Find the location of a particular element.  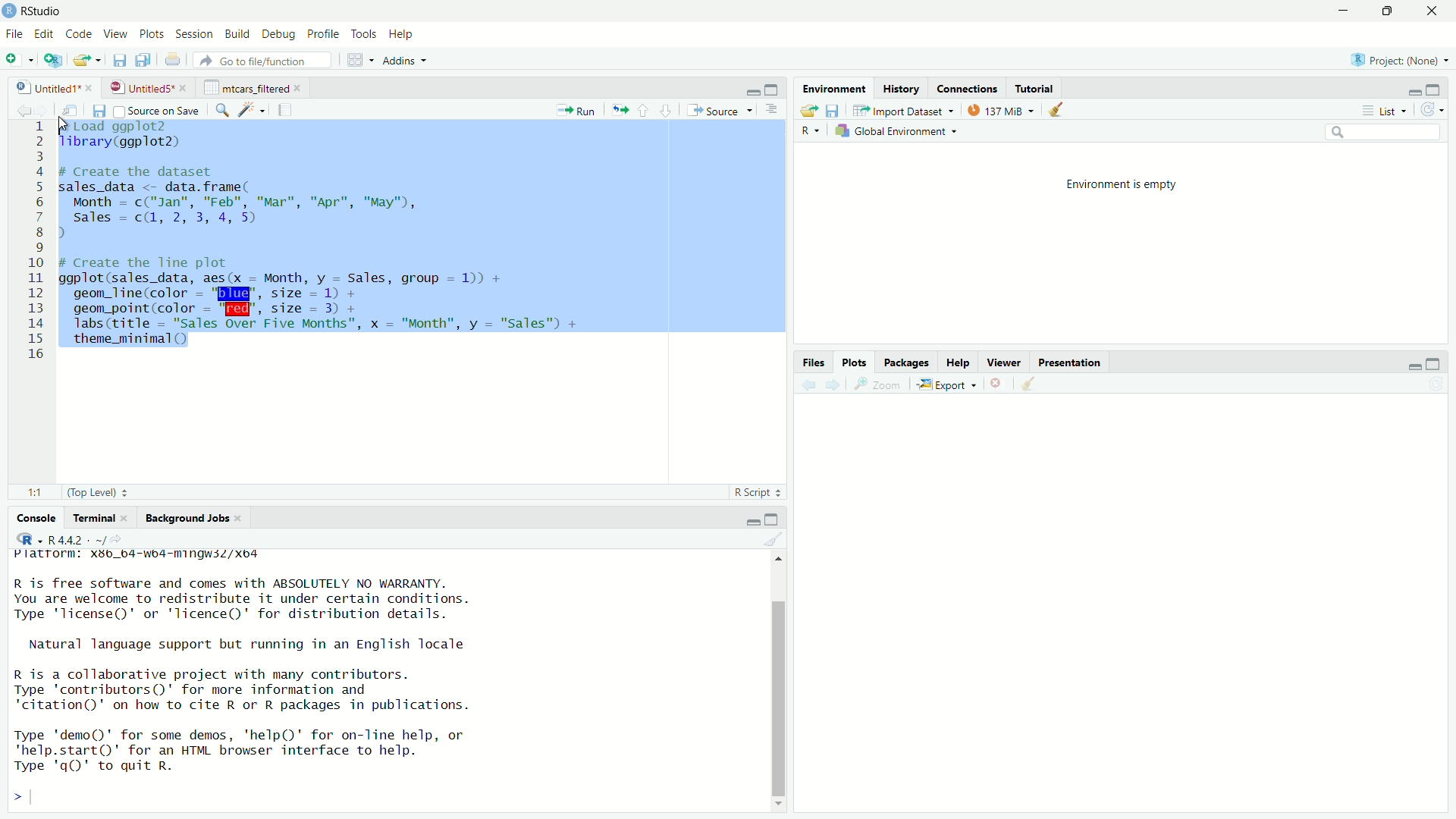

minimize is located at coordinates (1348, 10).